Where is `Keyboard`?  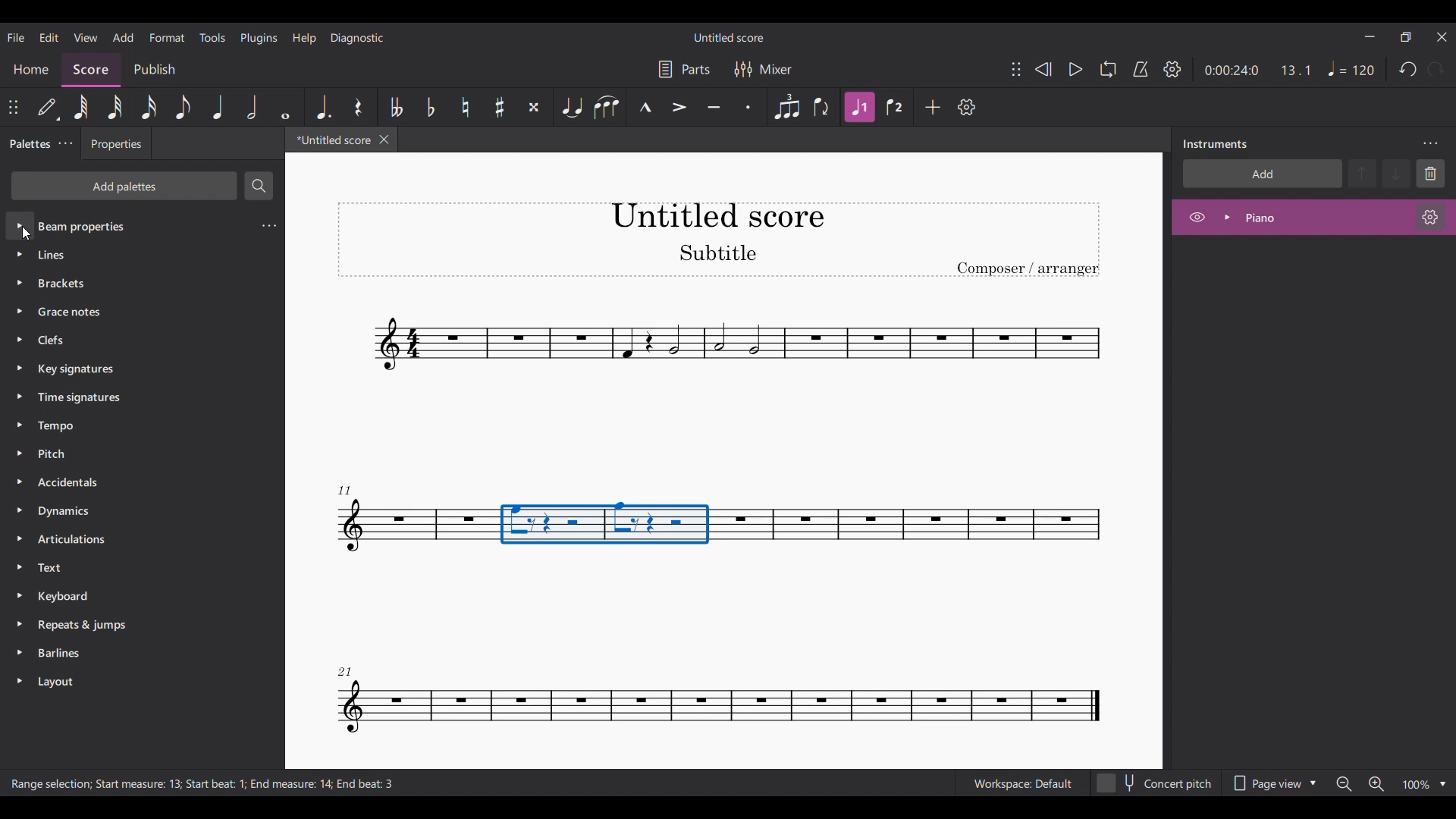
Keyboard is located at coordinates (130, 595).